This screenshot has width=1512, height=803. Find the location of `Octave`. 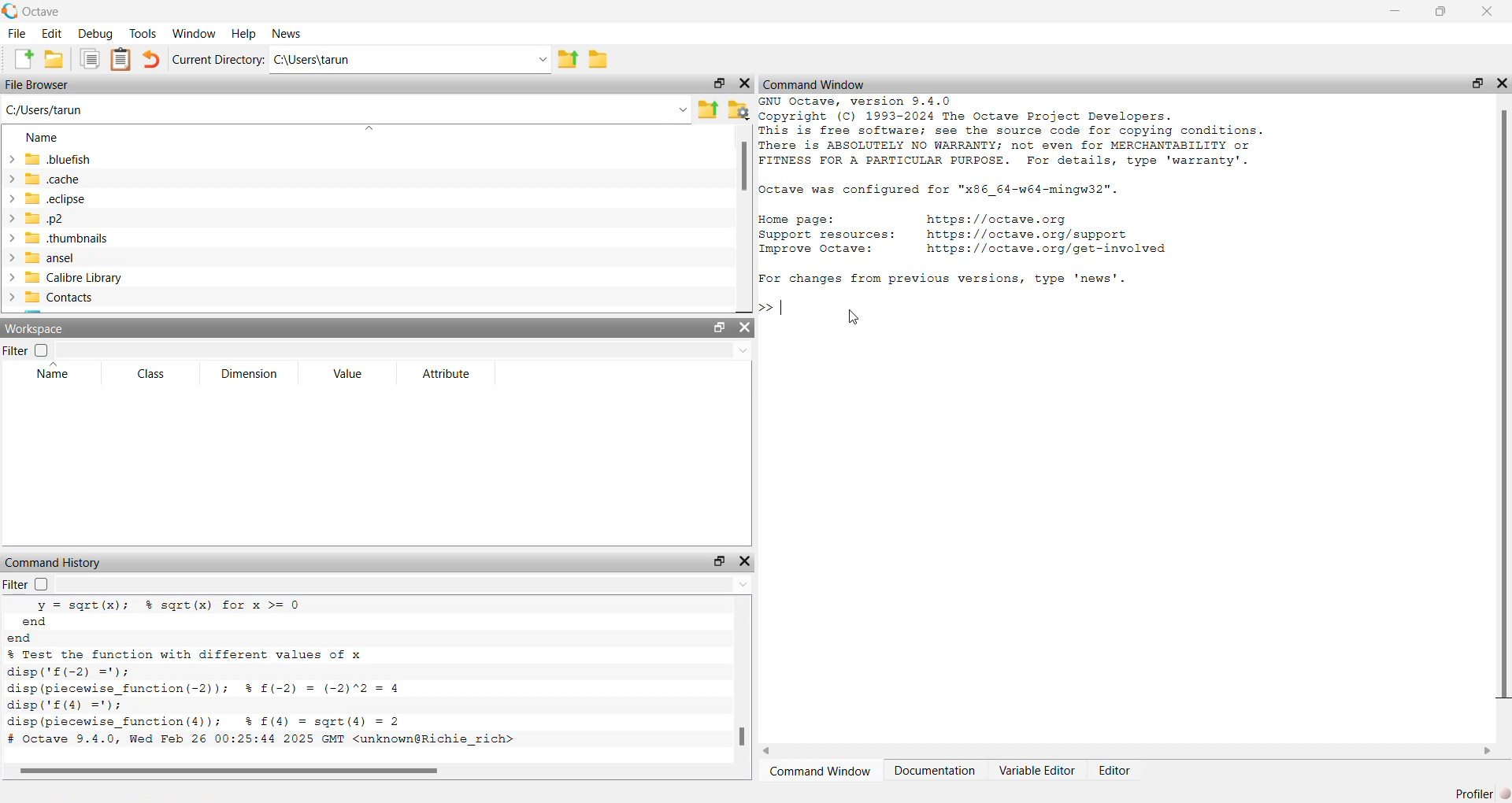

Octave is located at coordinates (39, 11).